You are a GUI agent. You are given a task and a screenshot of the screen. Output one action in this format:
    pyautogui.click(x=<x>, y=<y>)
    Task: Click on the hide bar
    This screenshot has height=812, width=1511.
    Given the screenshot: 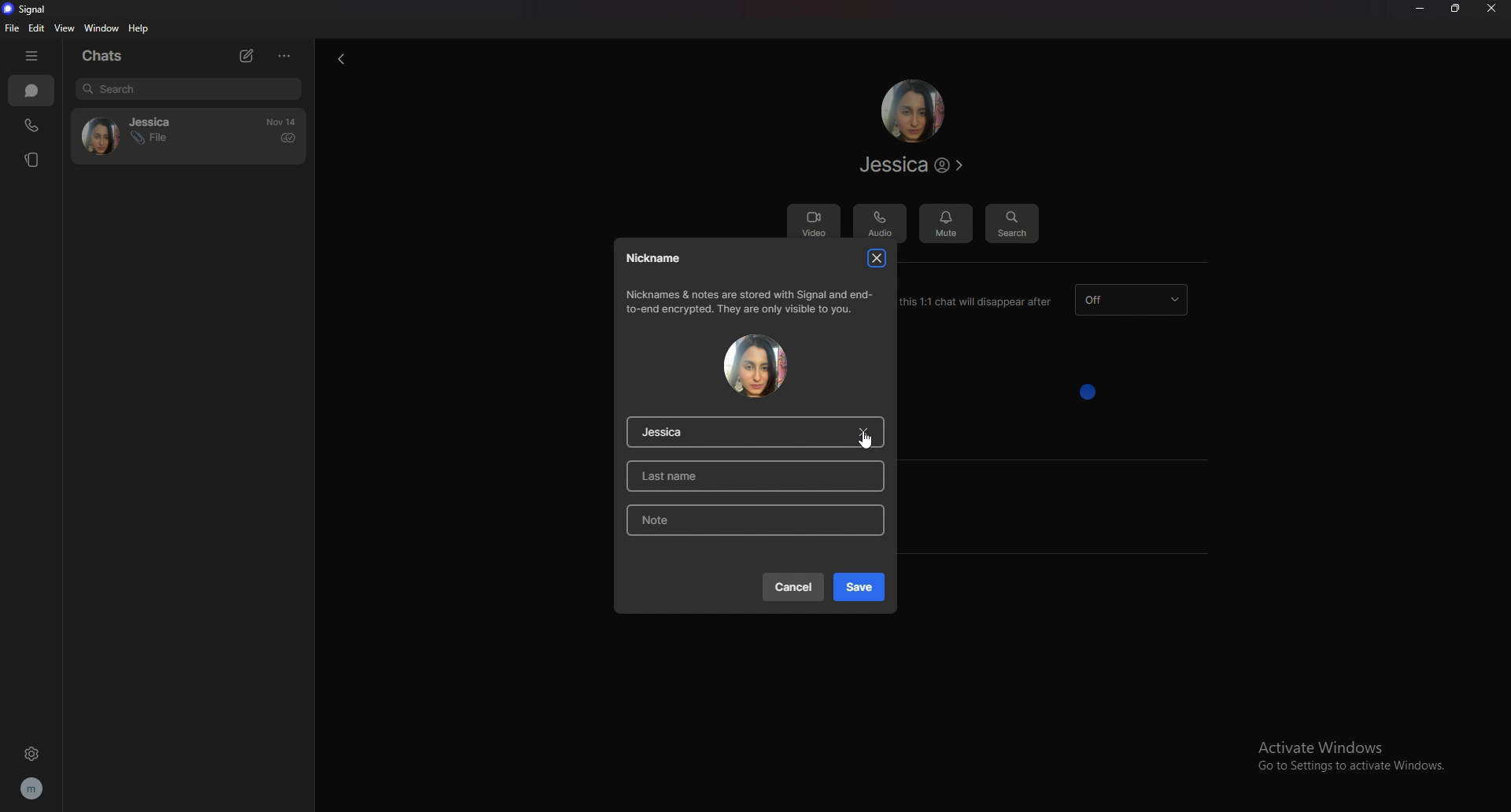 What is the action you would take?
    pyautogui.click(x=35, y=55)
    